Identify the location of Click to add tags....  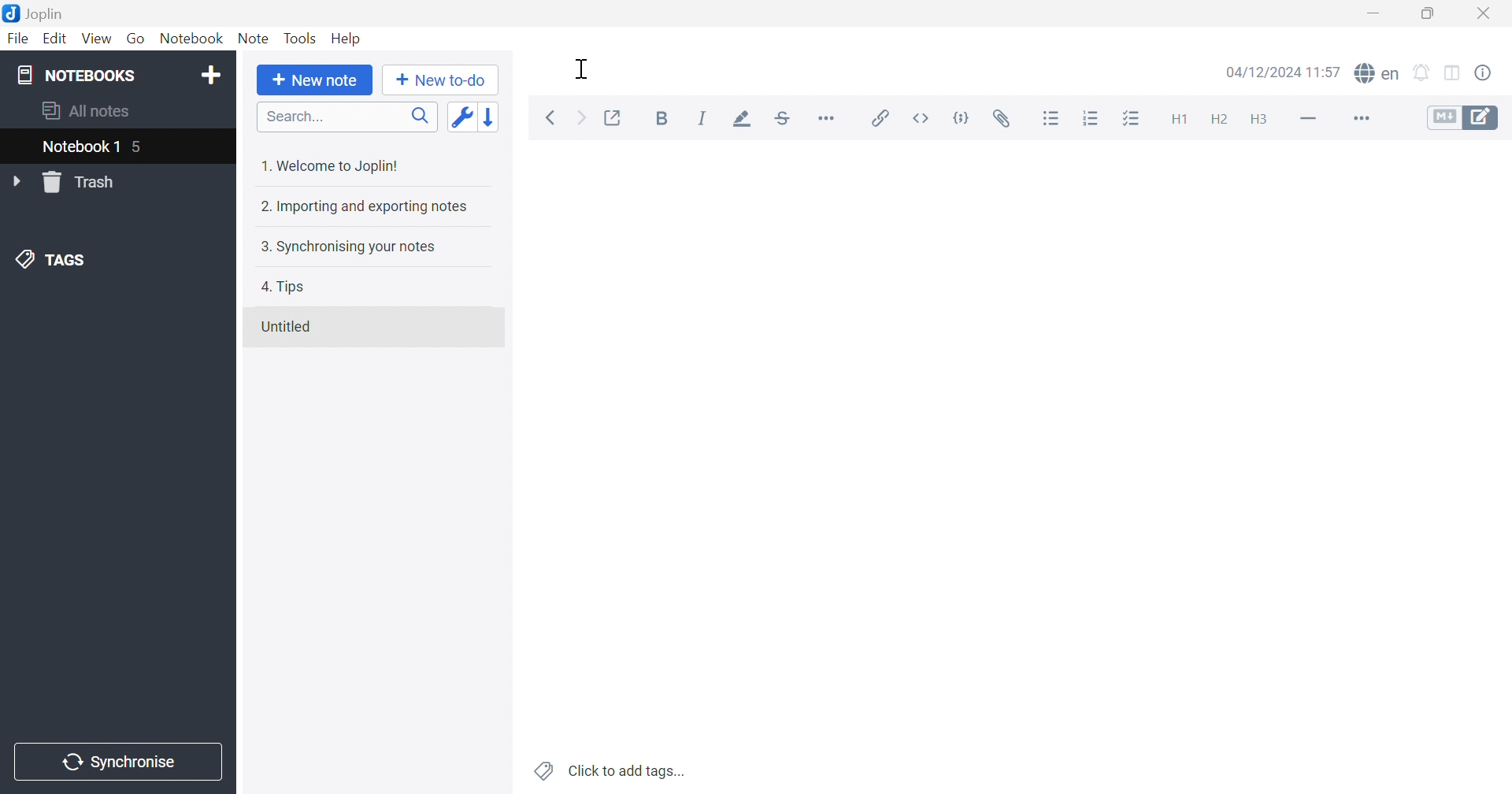
(609, 770).